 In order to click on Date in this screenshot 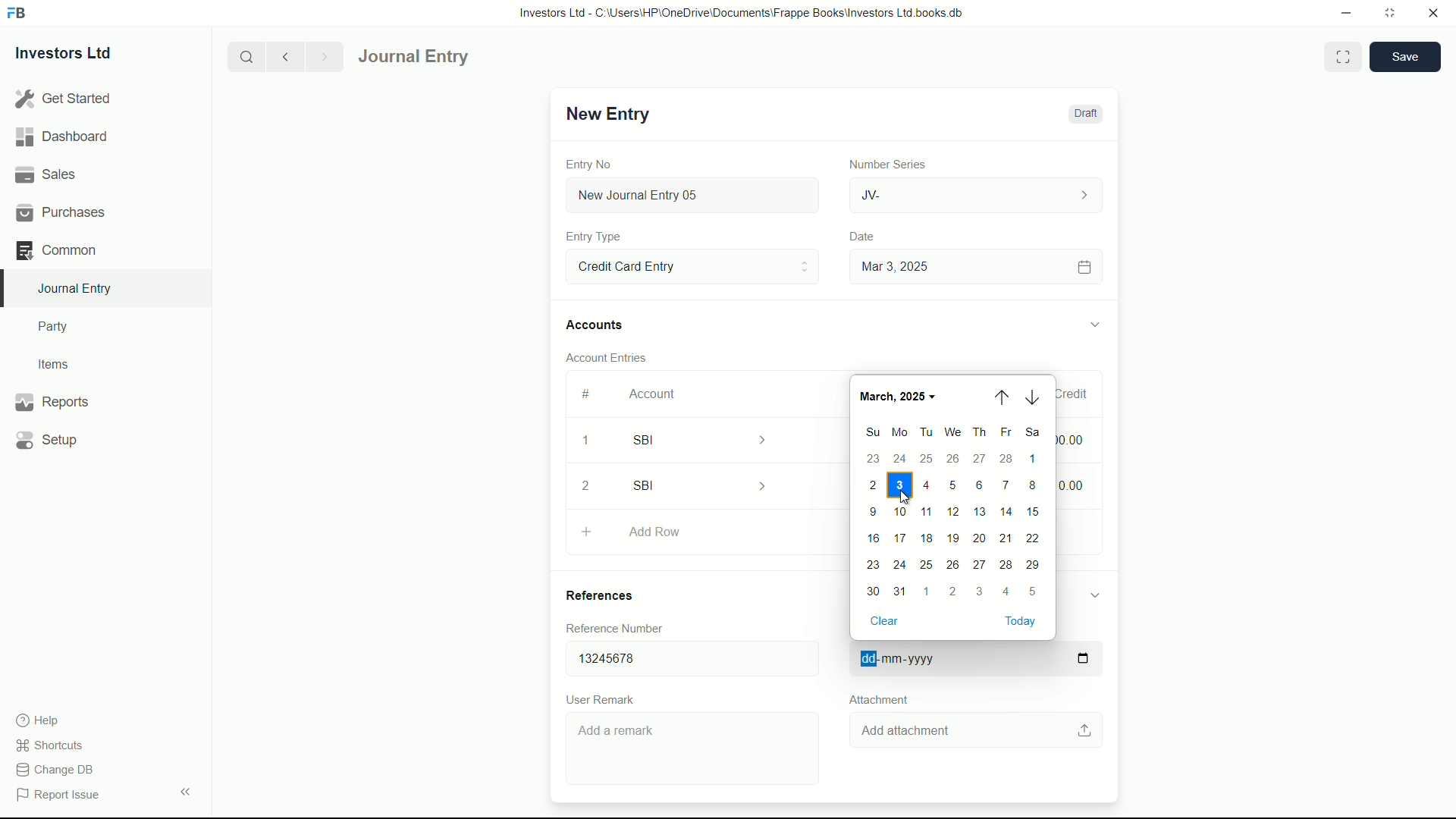, I will do `click(864, 237)`.